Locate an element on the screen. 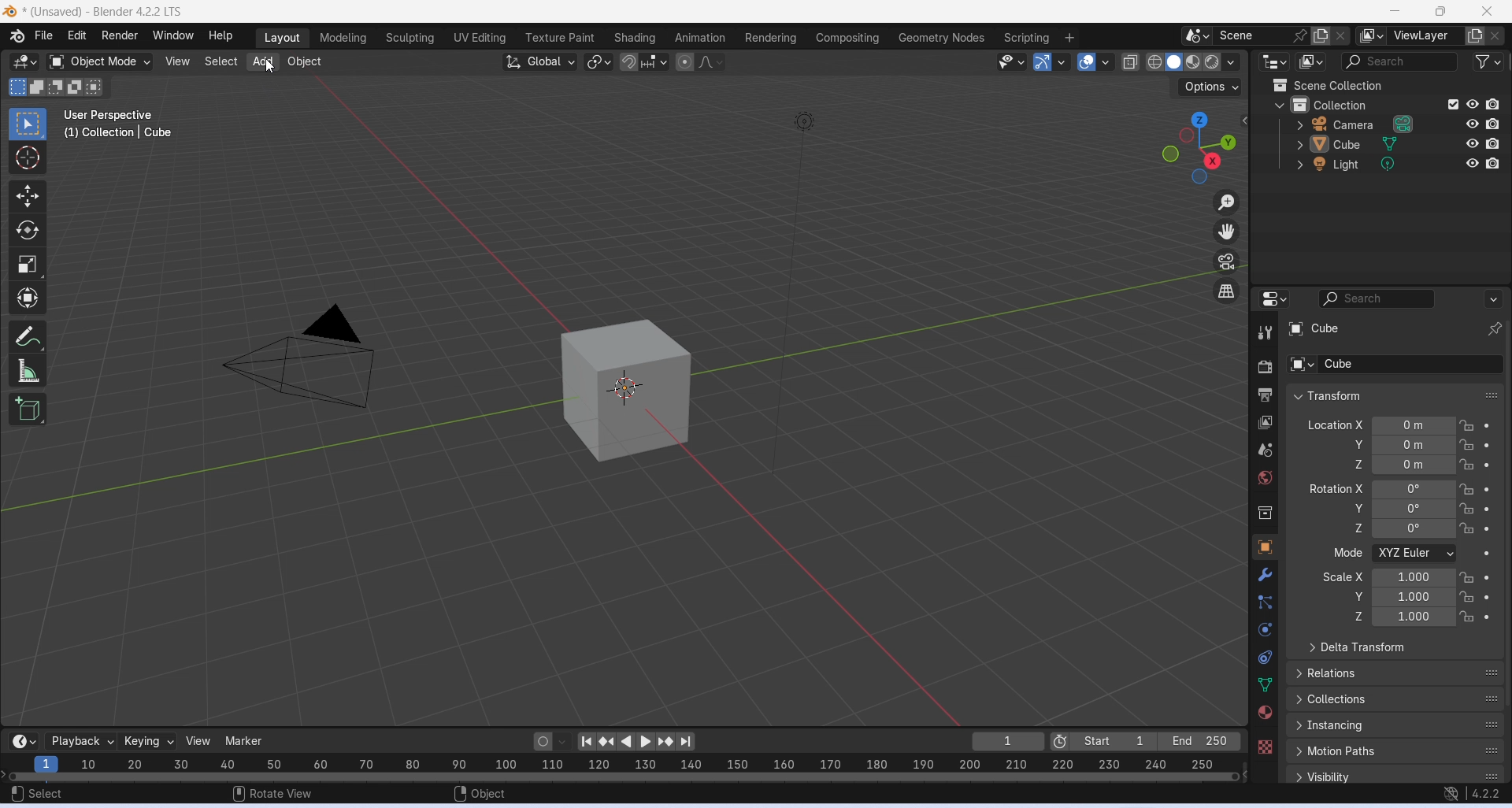 The height and width of the screenshot is (808, 1512). Window is located at coordinates (172, 35).